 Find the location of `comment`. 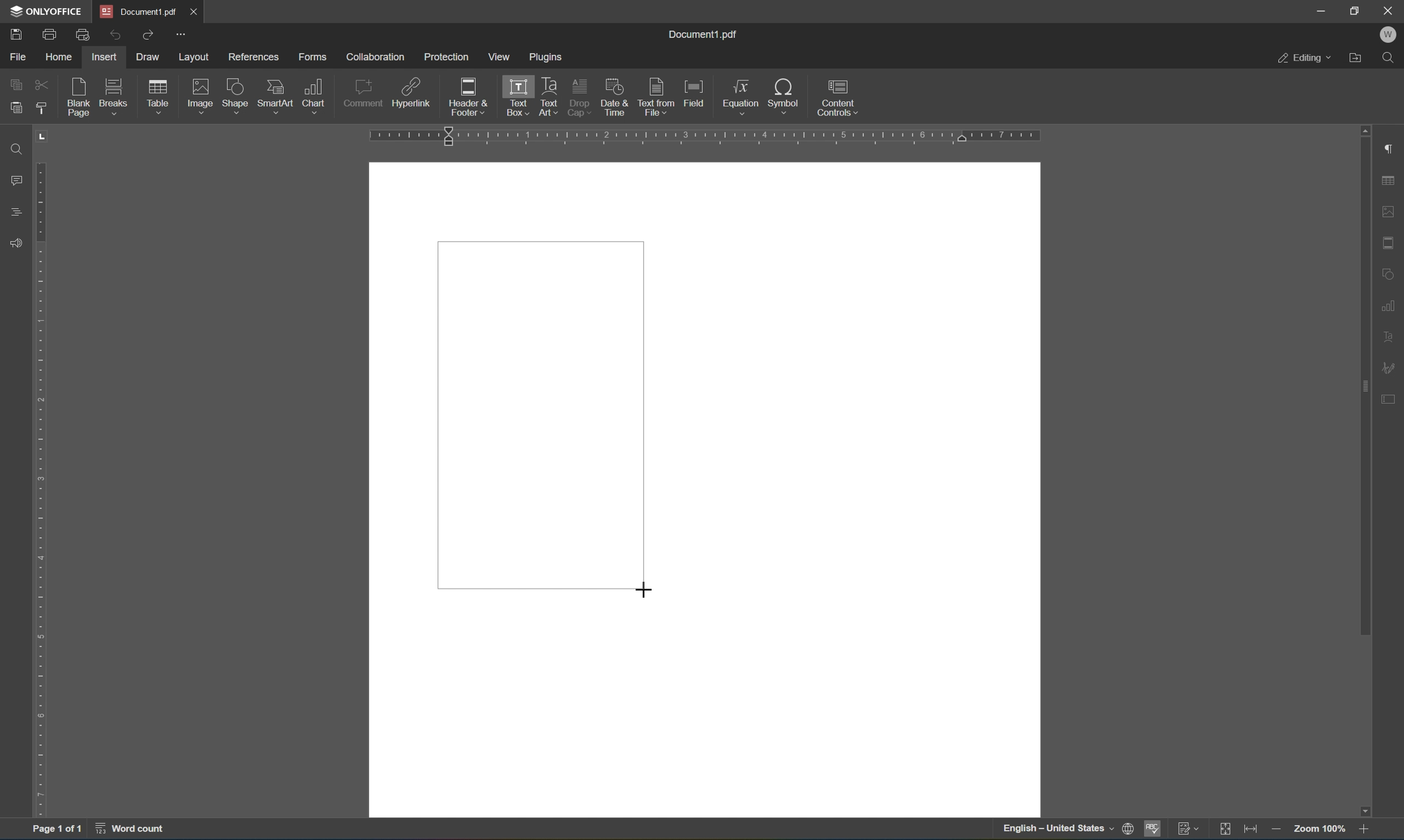

comment is located at coordinates (363, 96).